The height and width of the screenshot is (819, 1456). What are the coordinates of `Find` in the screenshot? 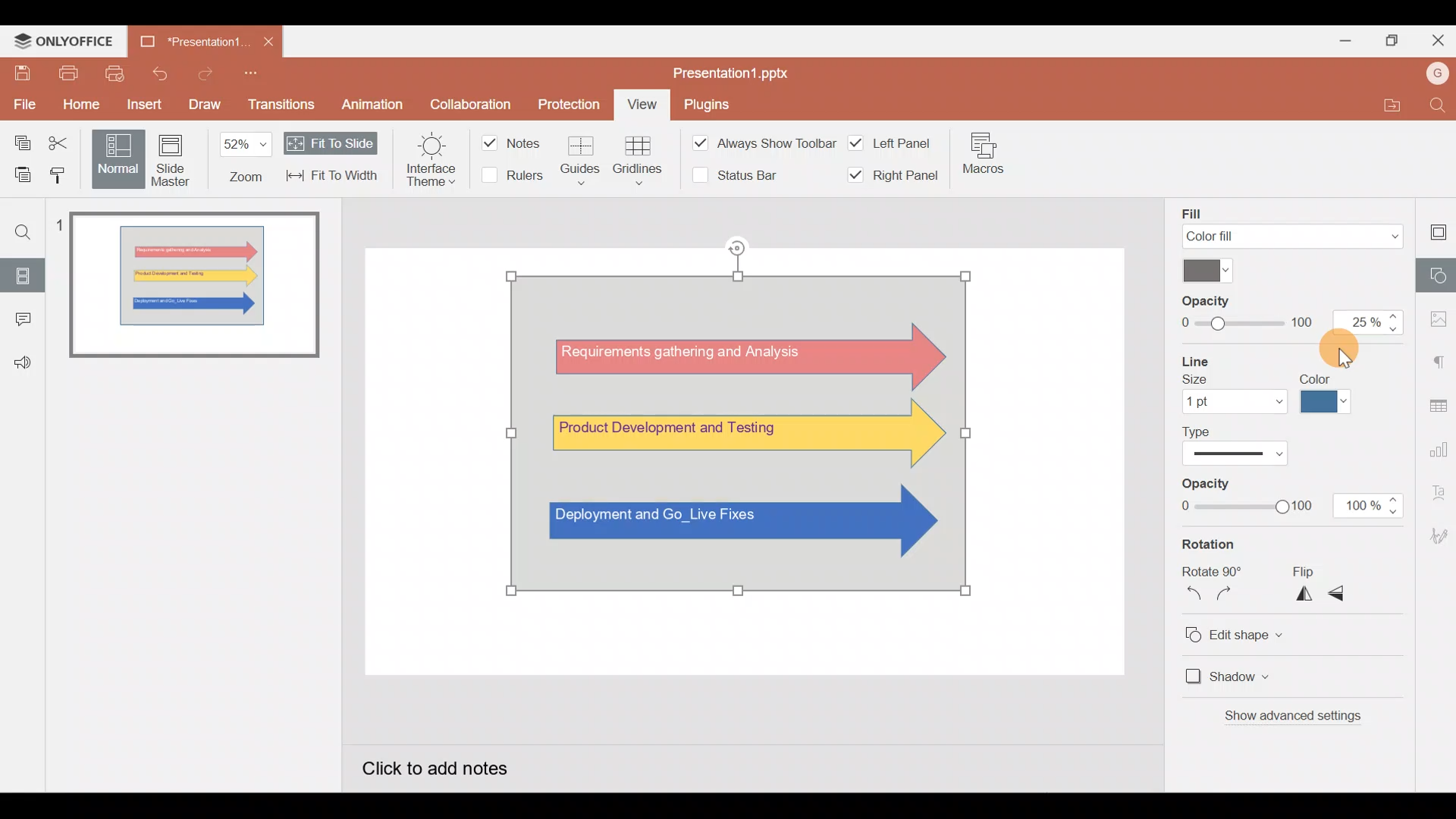 It's located at (23, 230).